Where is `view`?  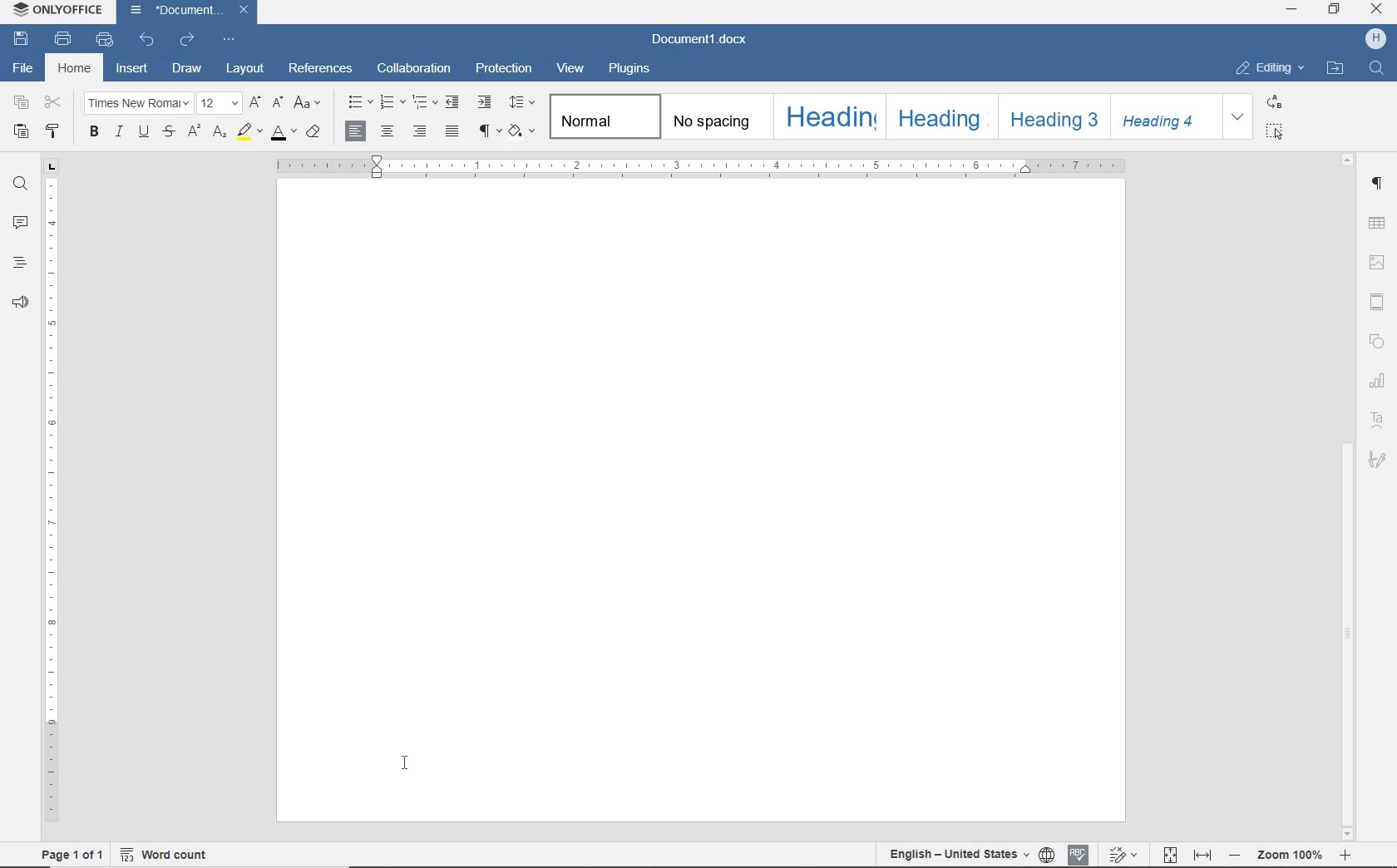 view is located at coordinates (570, 67).